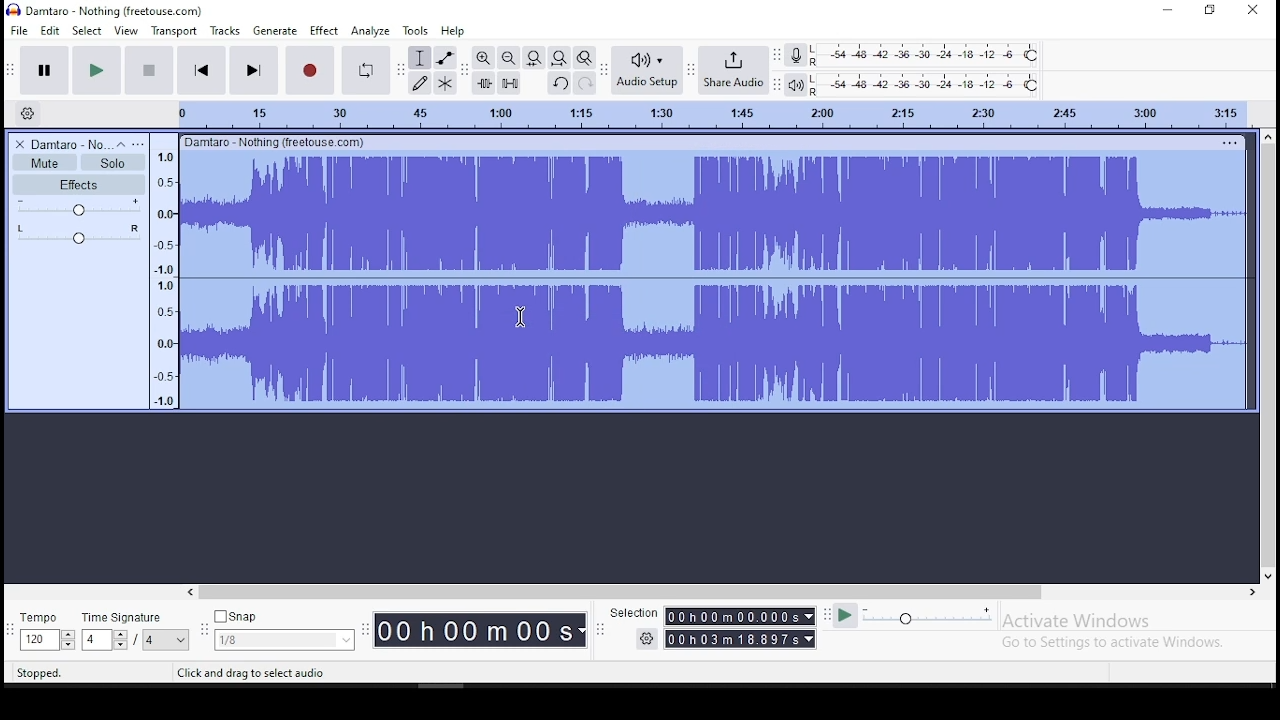  What do you see at coordinates (926, 618) in the screenshot?
I see `playback speed` at bounding box center [926, 618].